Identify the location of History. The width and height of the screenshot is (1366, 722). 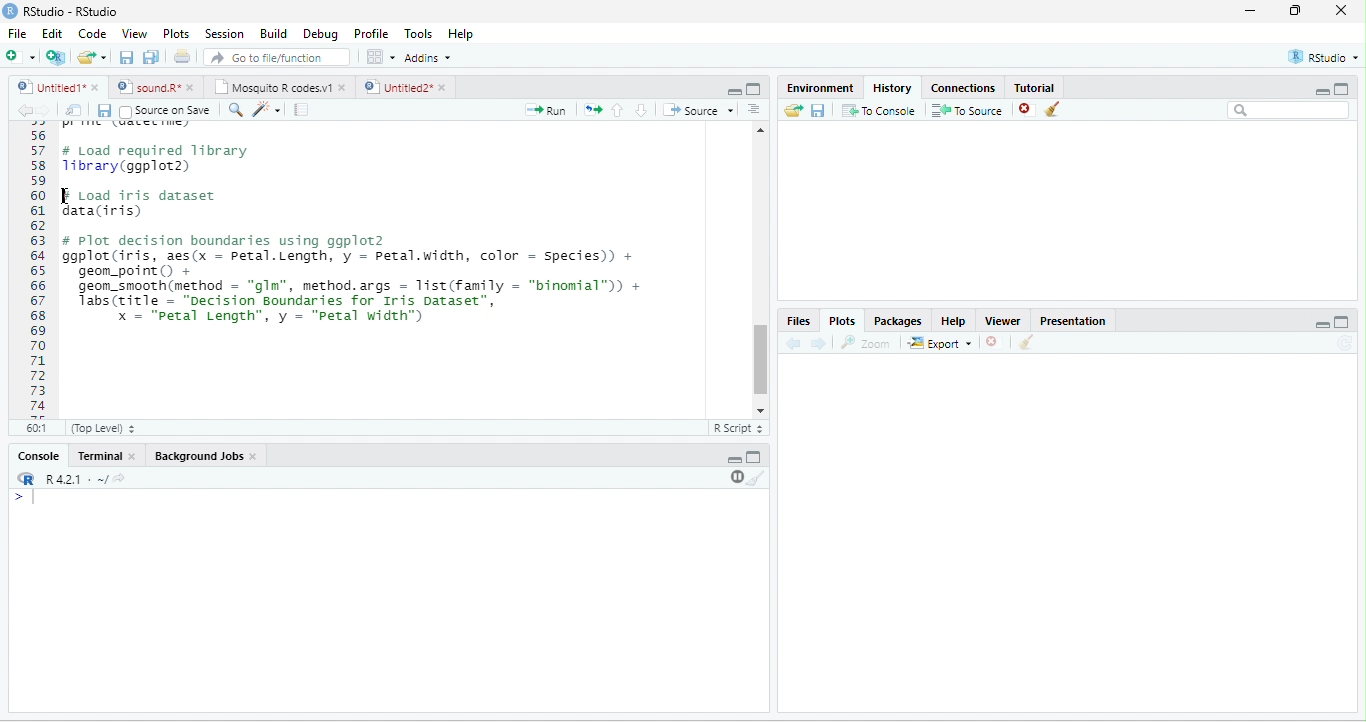
(892, 88).